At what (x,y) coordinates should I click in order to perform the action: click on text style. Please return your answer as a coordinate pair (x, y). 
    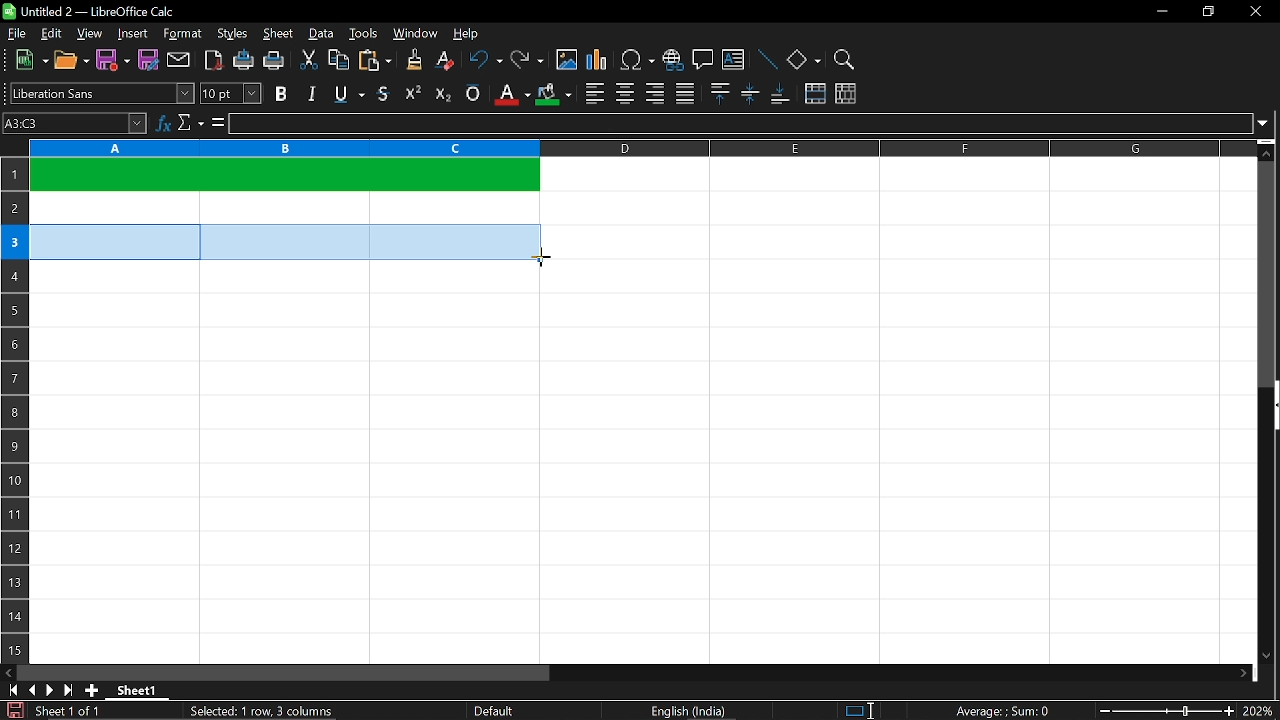
    Looking at the image, I should click on (103, 94).